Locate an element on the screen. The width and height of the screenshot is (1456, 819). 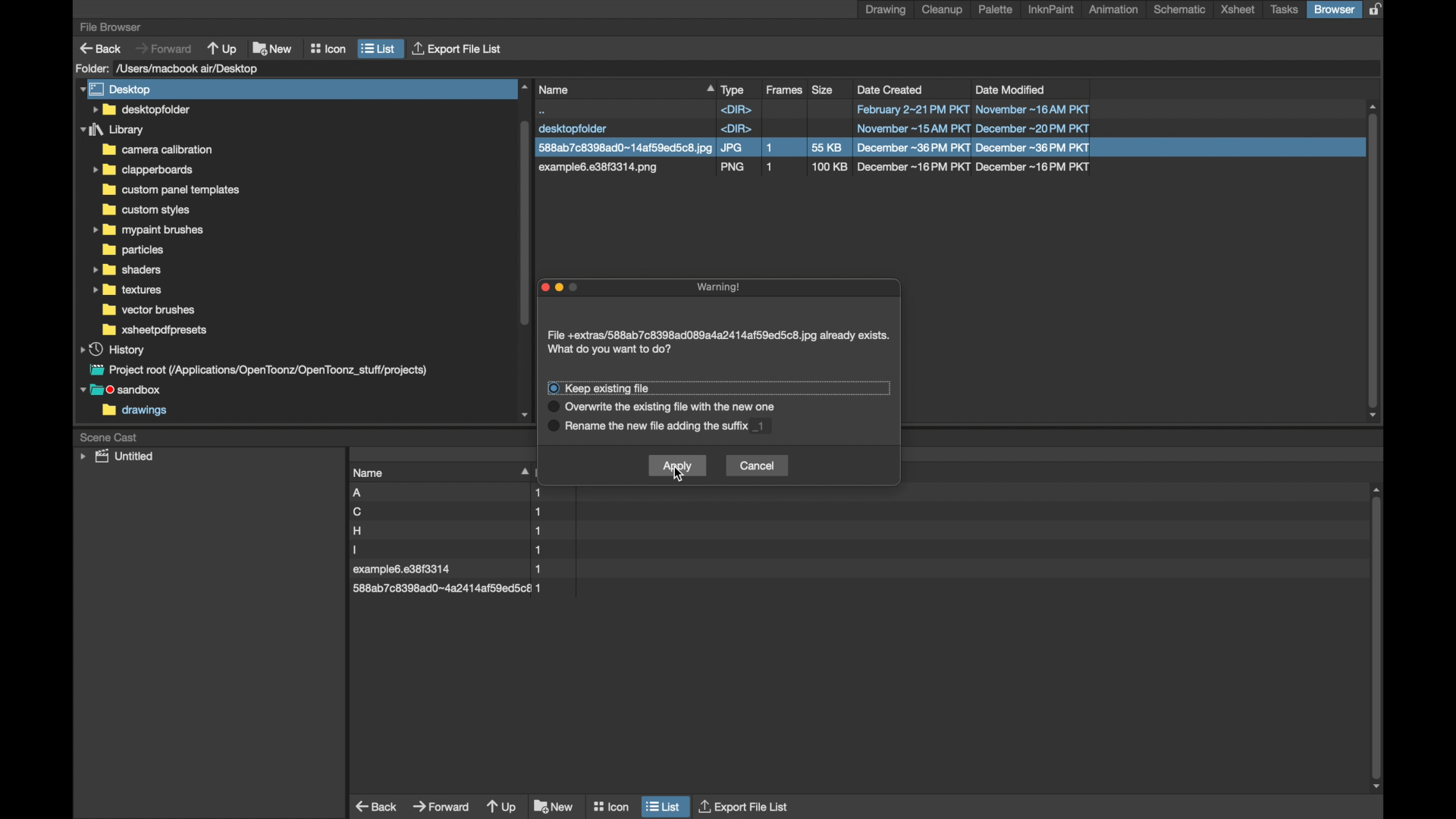
up is located at coordinates (502, 808).